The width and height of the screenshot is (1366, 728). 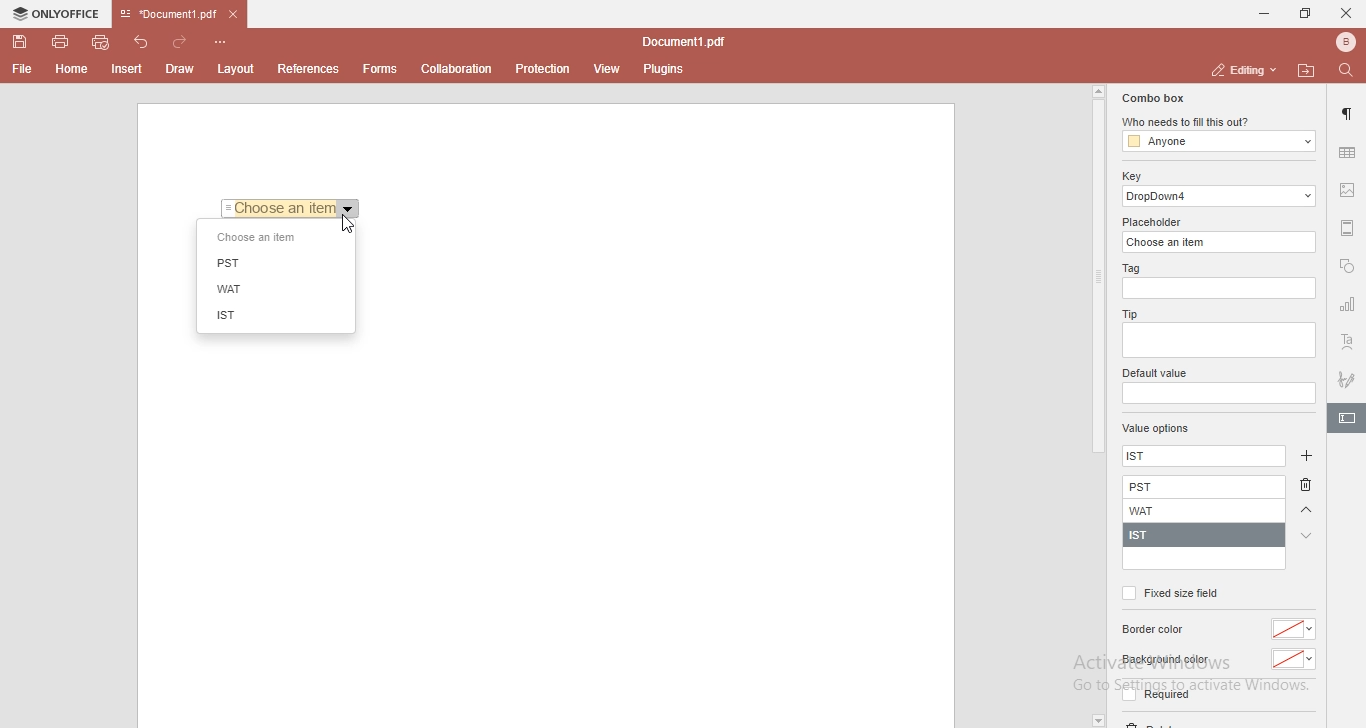 What do you see at coordinates (1097, 720) in the screenshot?
I see `dropdown` at bounding box center [1097, 720].